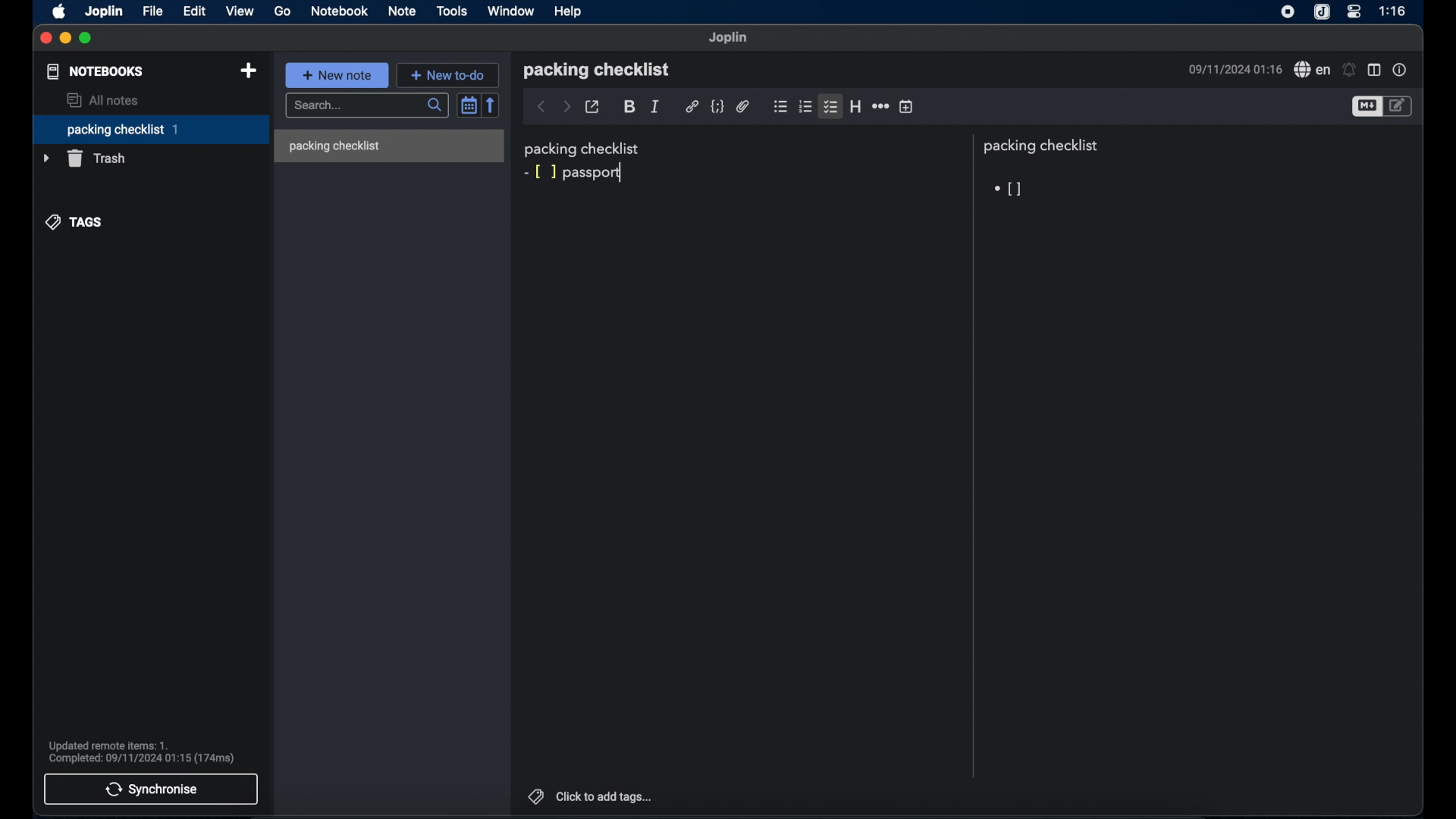 The image size is (1456, 819). What do you see at coordinates (403, 11) in the screenshot?
I see `note` at bounding box center [403, 11].